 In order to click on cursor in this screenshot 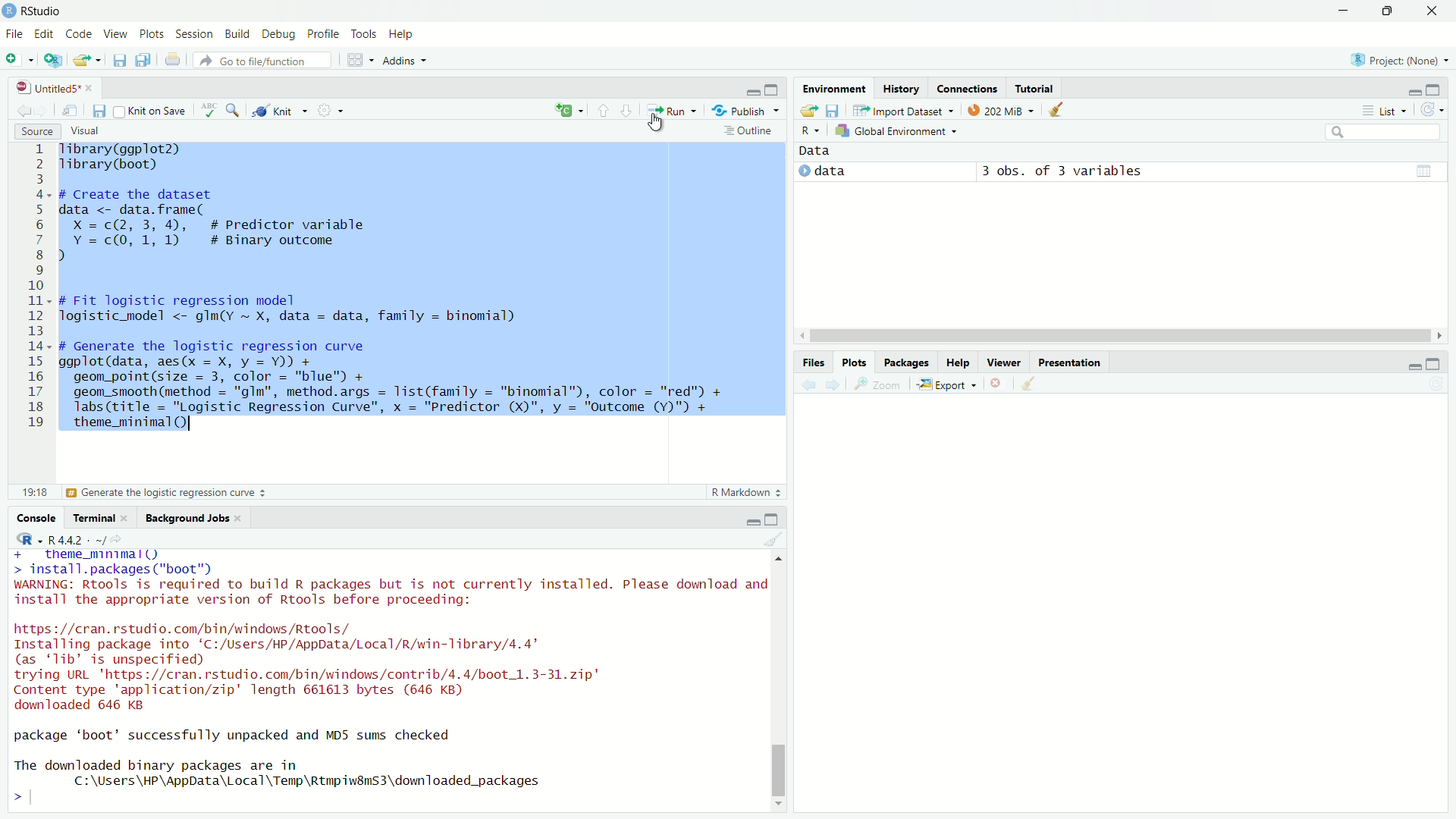, I will do `click(655, 123)`.